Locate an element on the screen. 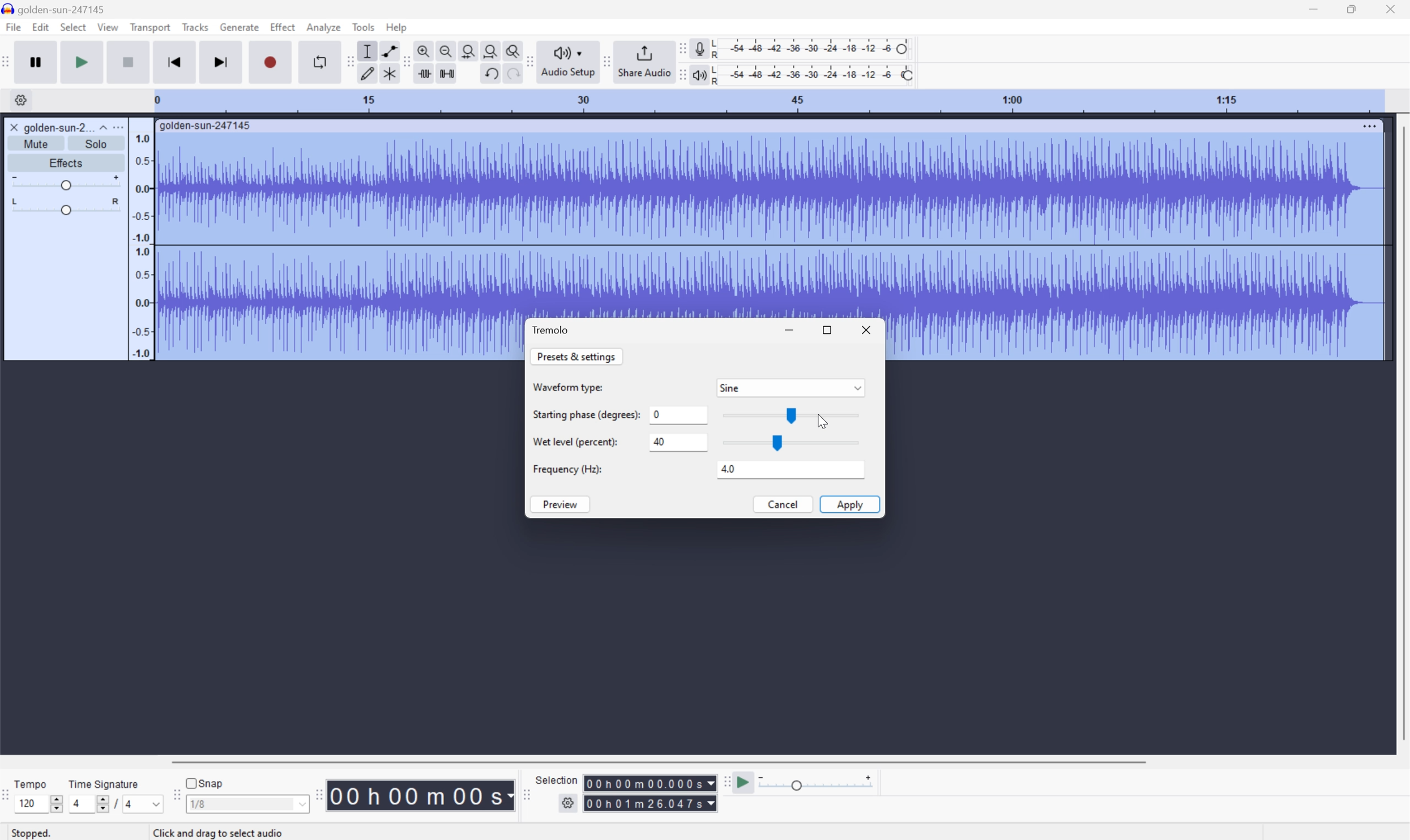 This screenshot has height=840, width=1410. Slider is located at coordinates (791, 443).